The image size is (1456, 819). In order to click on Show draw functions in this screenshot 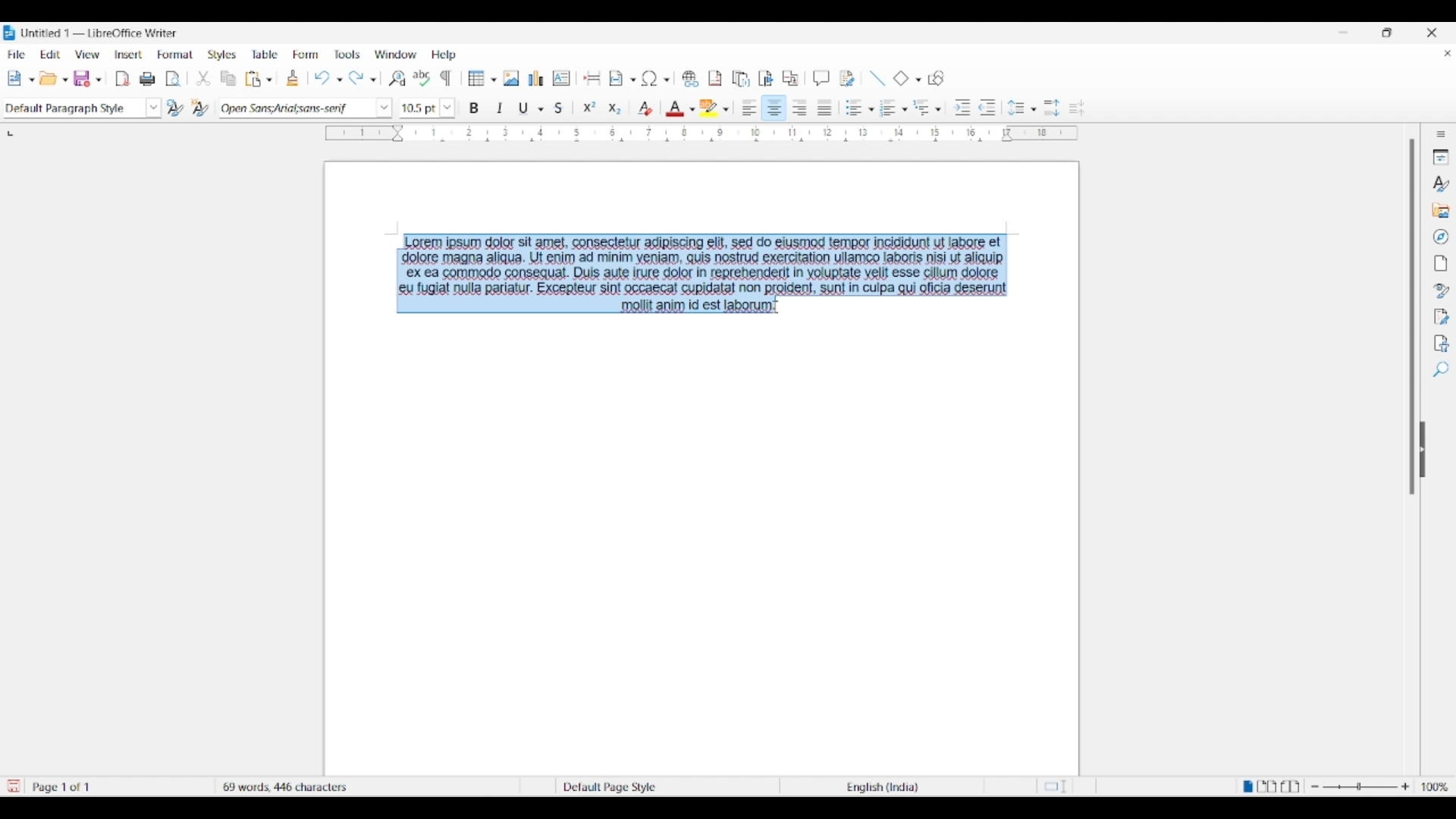, I will do `click(936, 78)`.